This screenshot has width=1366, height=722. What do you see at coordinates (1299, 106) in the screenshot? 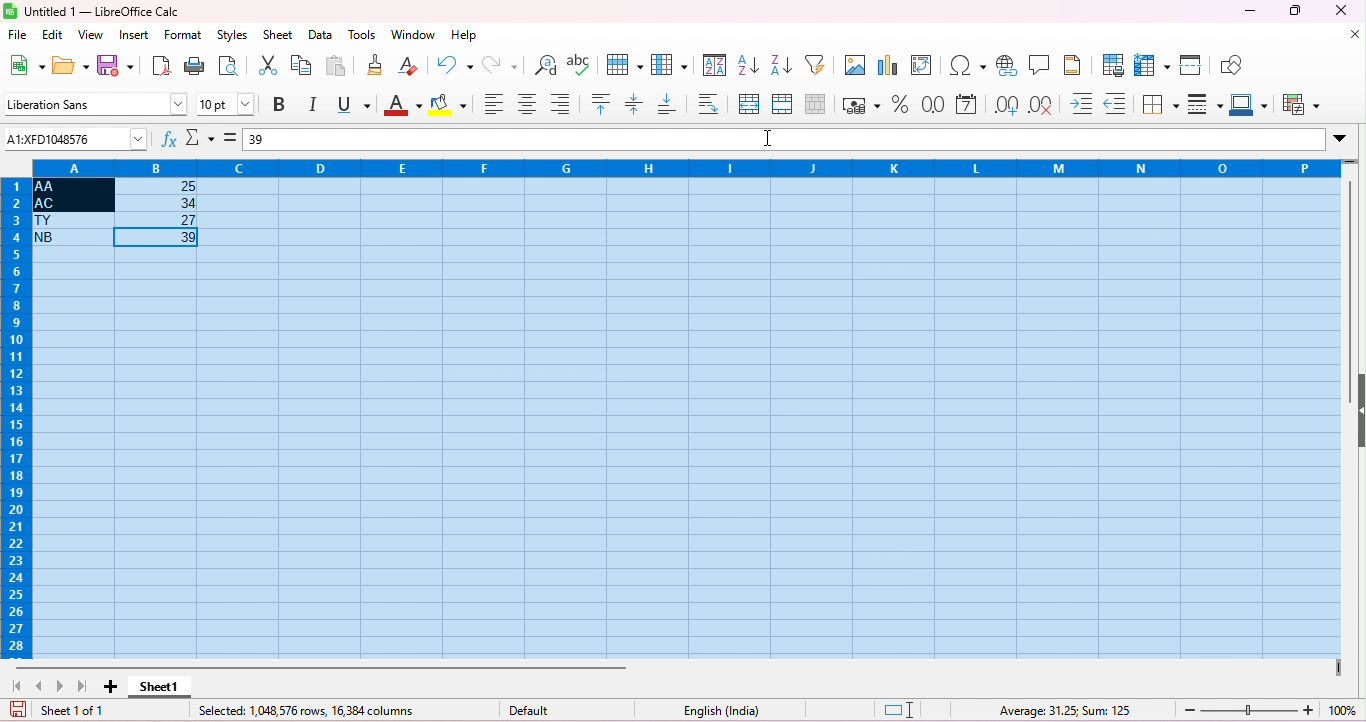
I see `conditional` at bounding box center [1299, 106].